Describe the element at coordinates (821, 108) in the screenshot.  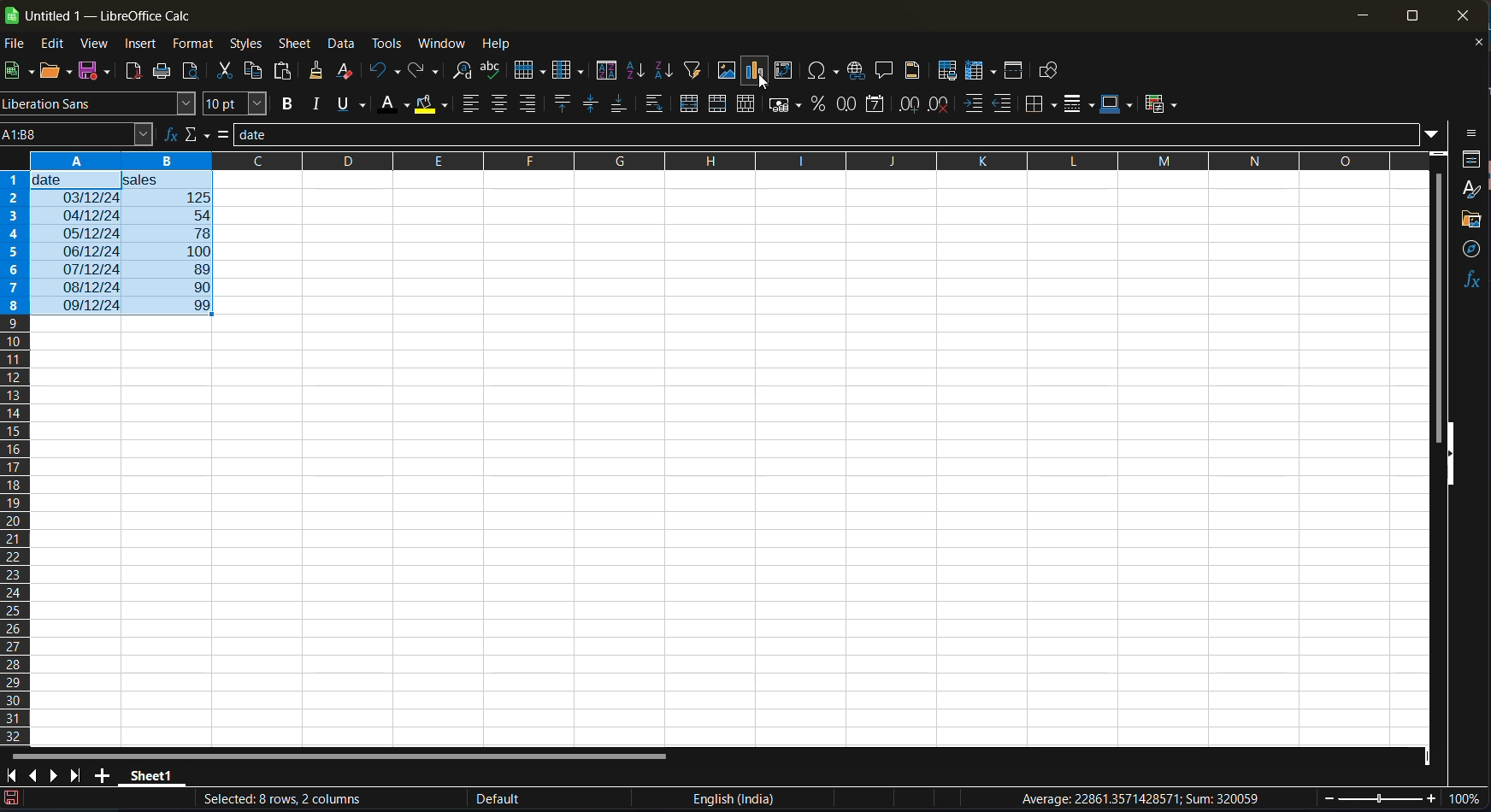
I see `format as percent` at that location.